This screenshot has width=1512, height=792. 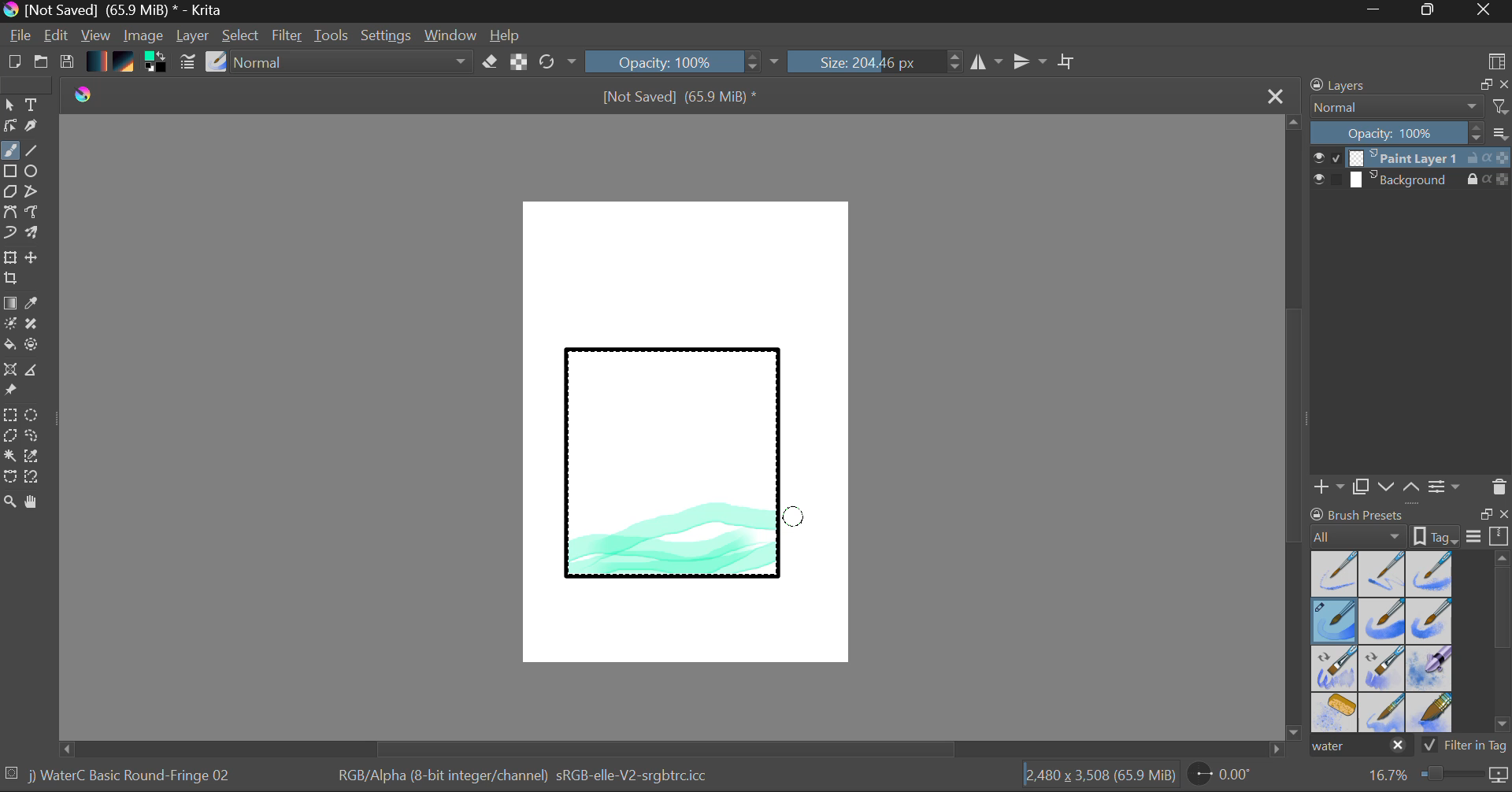 What do you see at coordinates (1329, 487) in the screenshot?
I see `Add Layer` at bounding box center [1329, 487].